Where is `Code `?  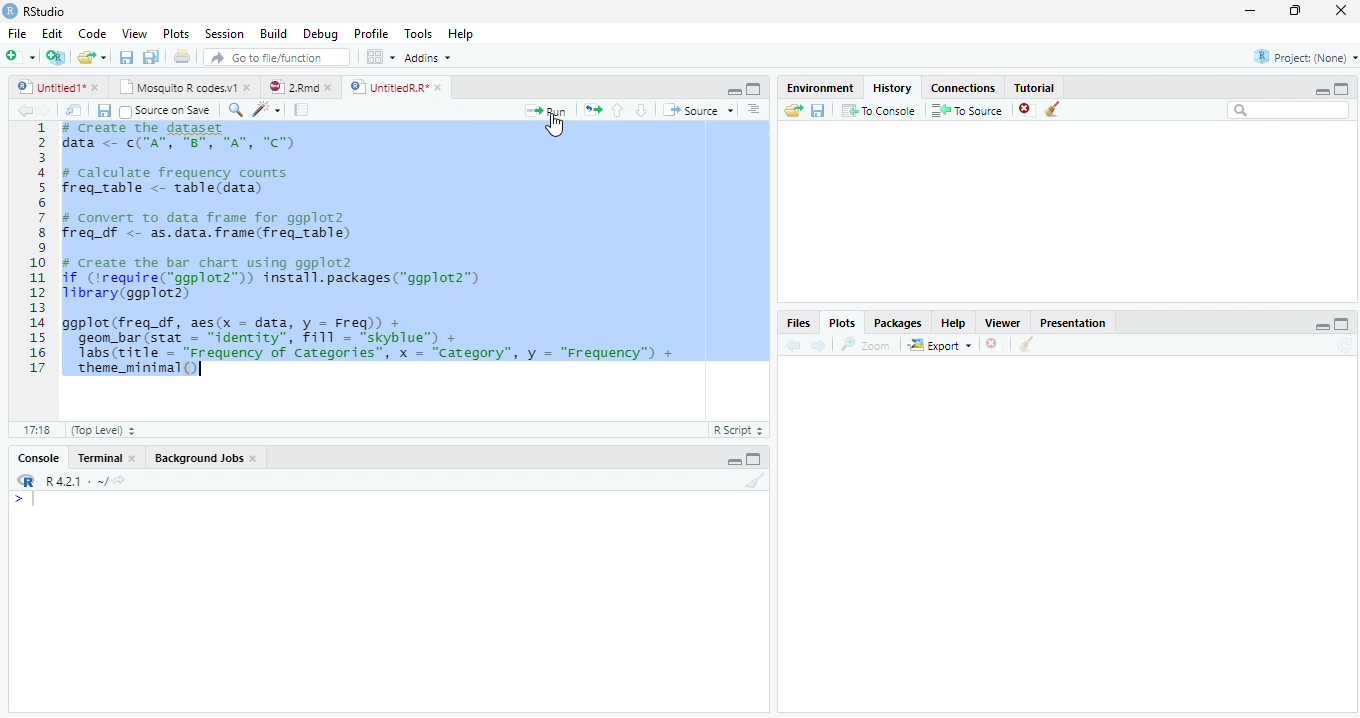 Code  is located at coordinates (269, 110).